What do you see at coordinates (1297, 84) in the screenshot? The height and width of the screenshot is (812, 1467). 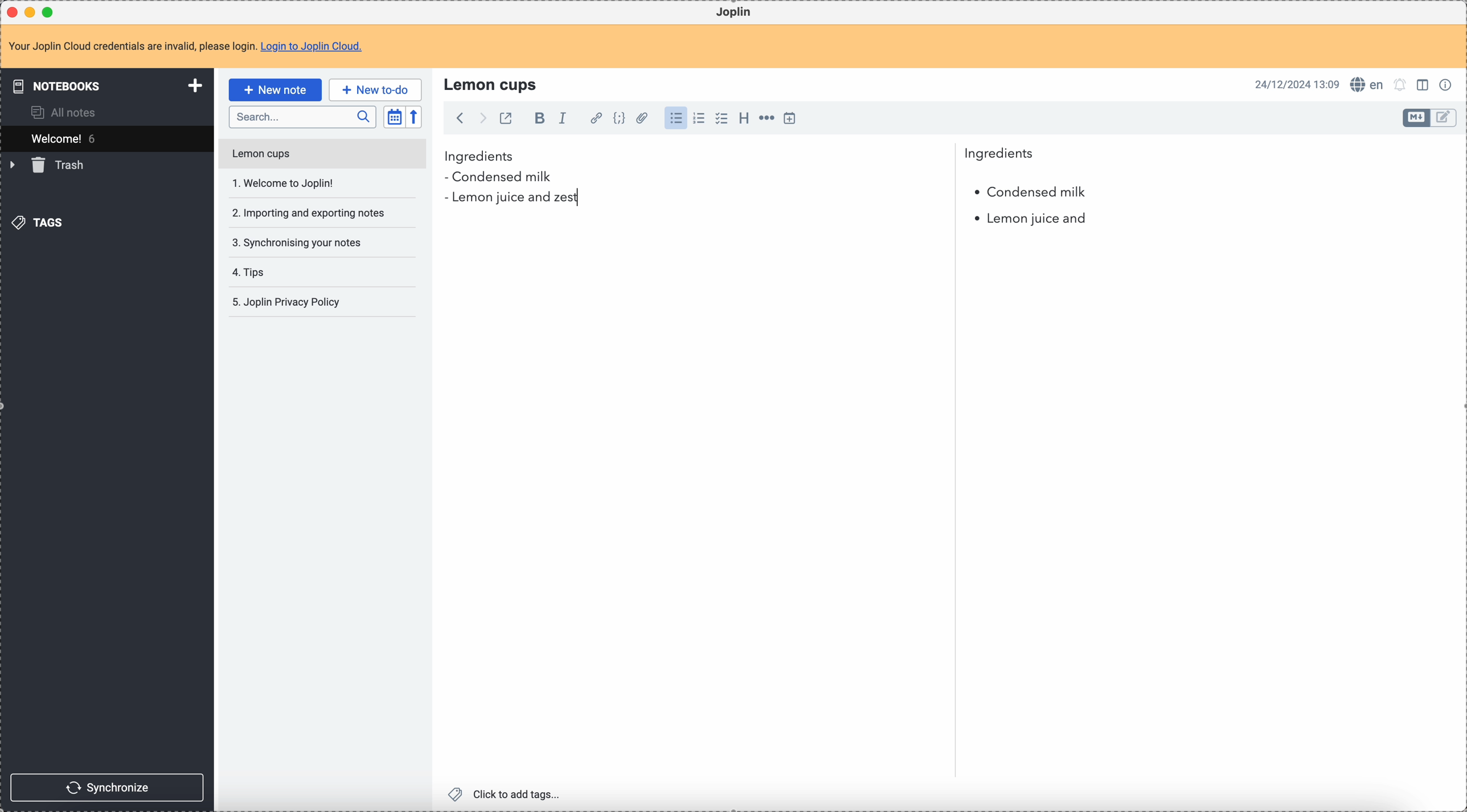 I see `date and hour` at bounding box center [1297, 84].